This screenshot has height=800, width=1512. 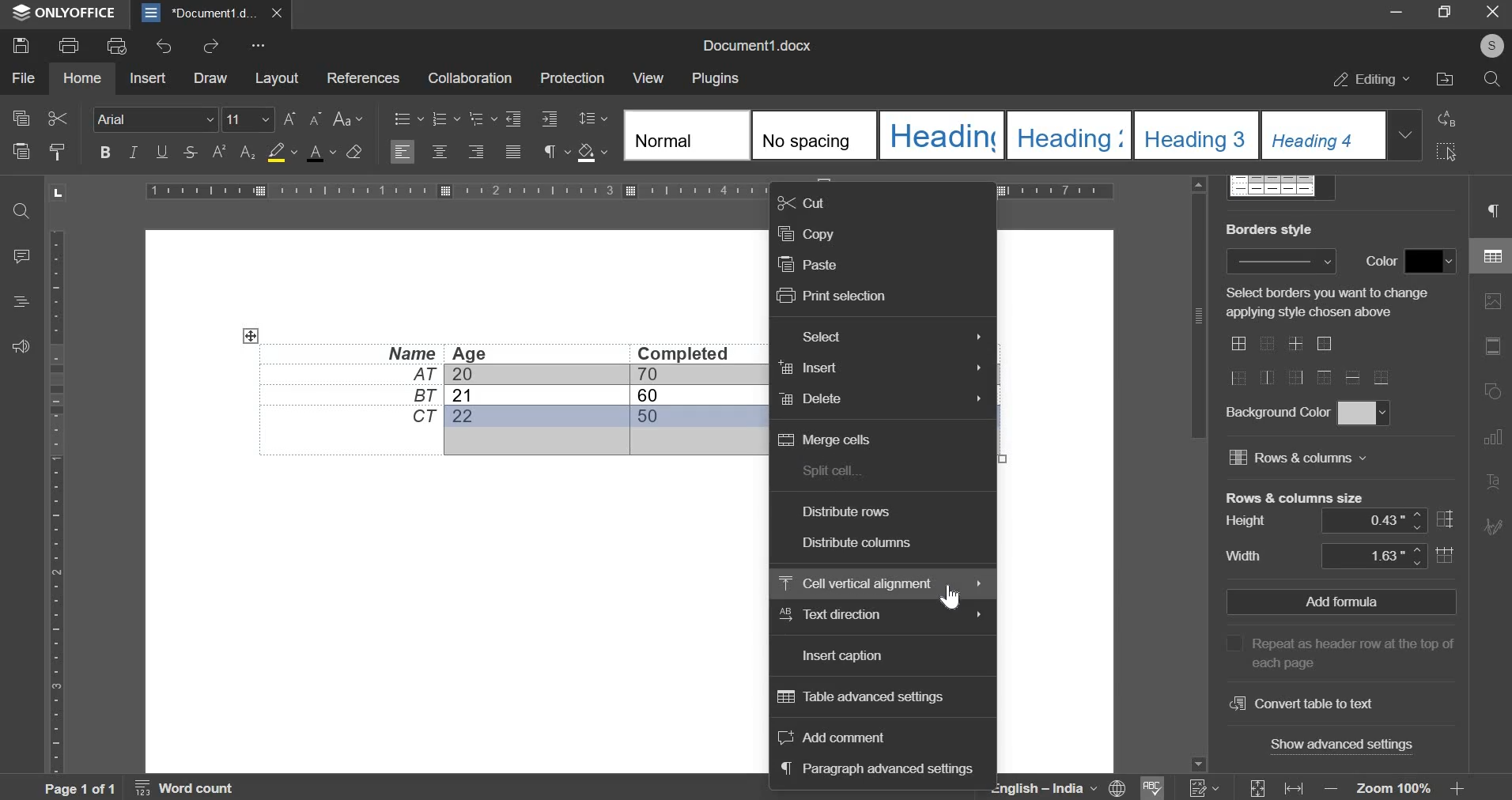 What do you see at coordinates (647, 77) in the screenshot?
I see `view` at bounding box center [647, 77].